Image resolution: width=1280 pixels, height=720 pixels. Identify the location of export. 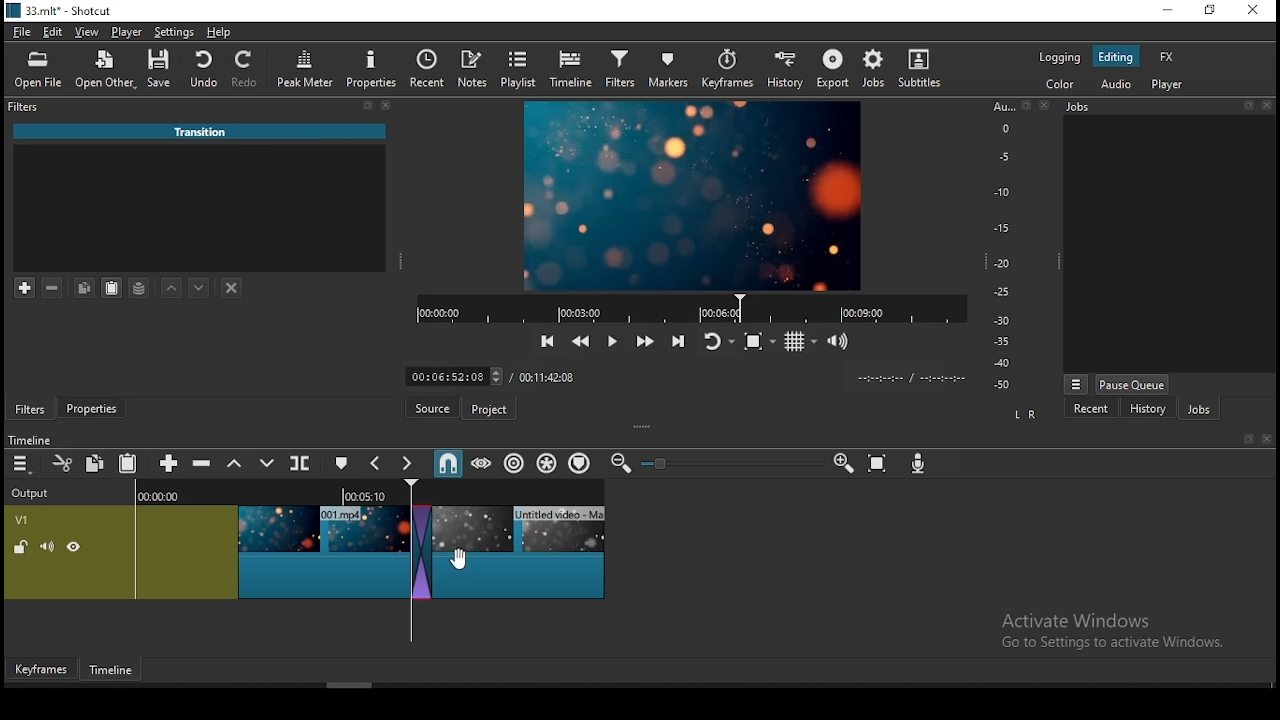
(831, 69).